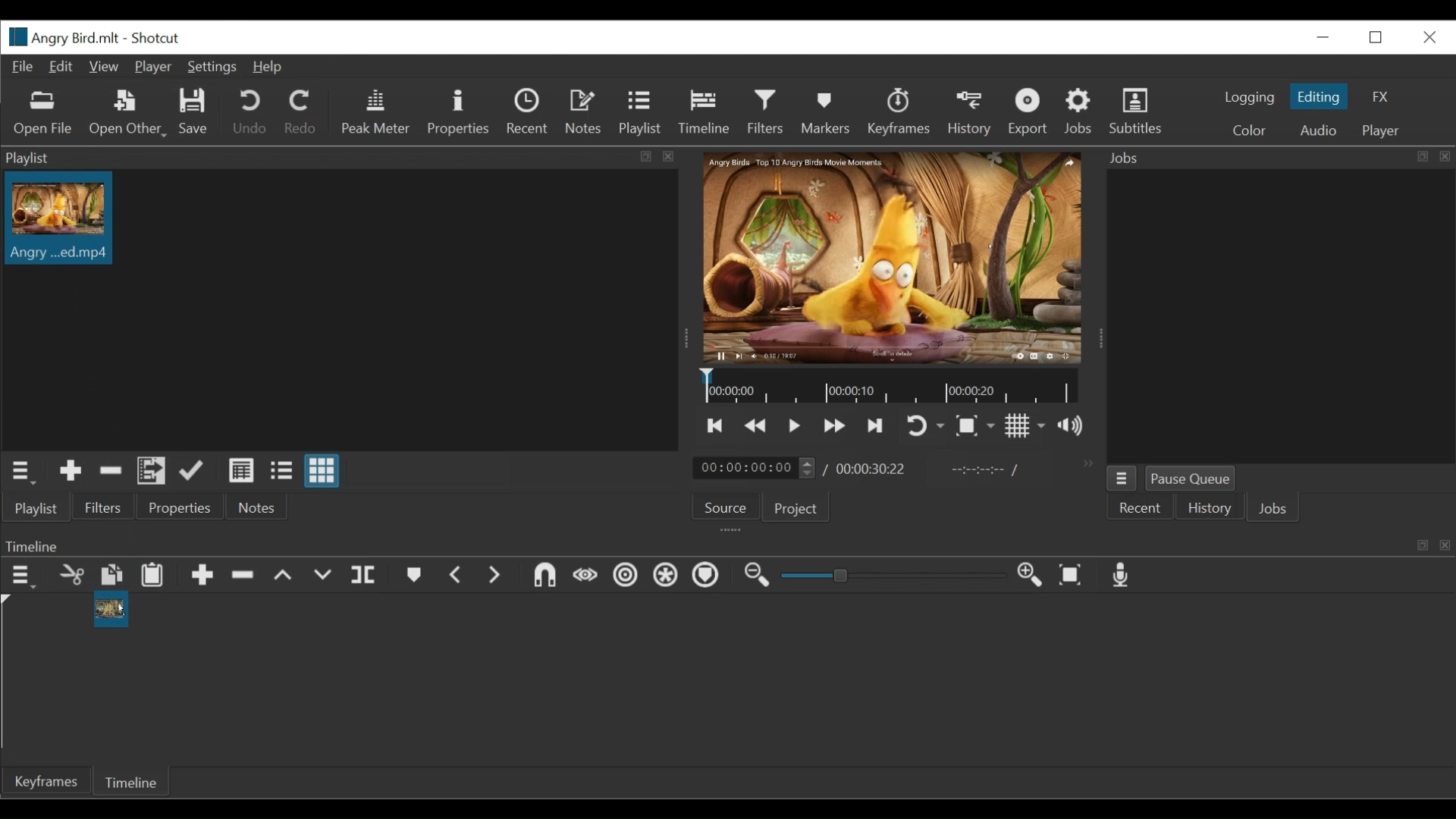 The height and width of the screenshot is (819, 1456). What do you see at coordinates (242, 471) in the screenshot?
I see `View as detail` at bounding box center [242, 471].